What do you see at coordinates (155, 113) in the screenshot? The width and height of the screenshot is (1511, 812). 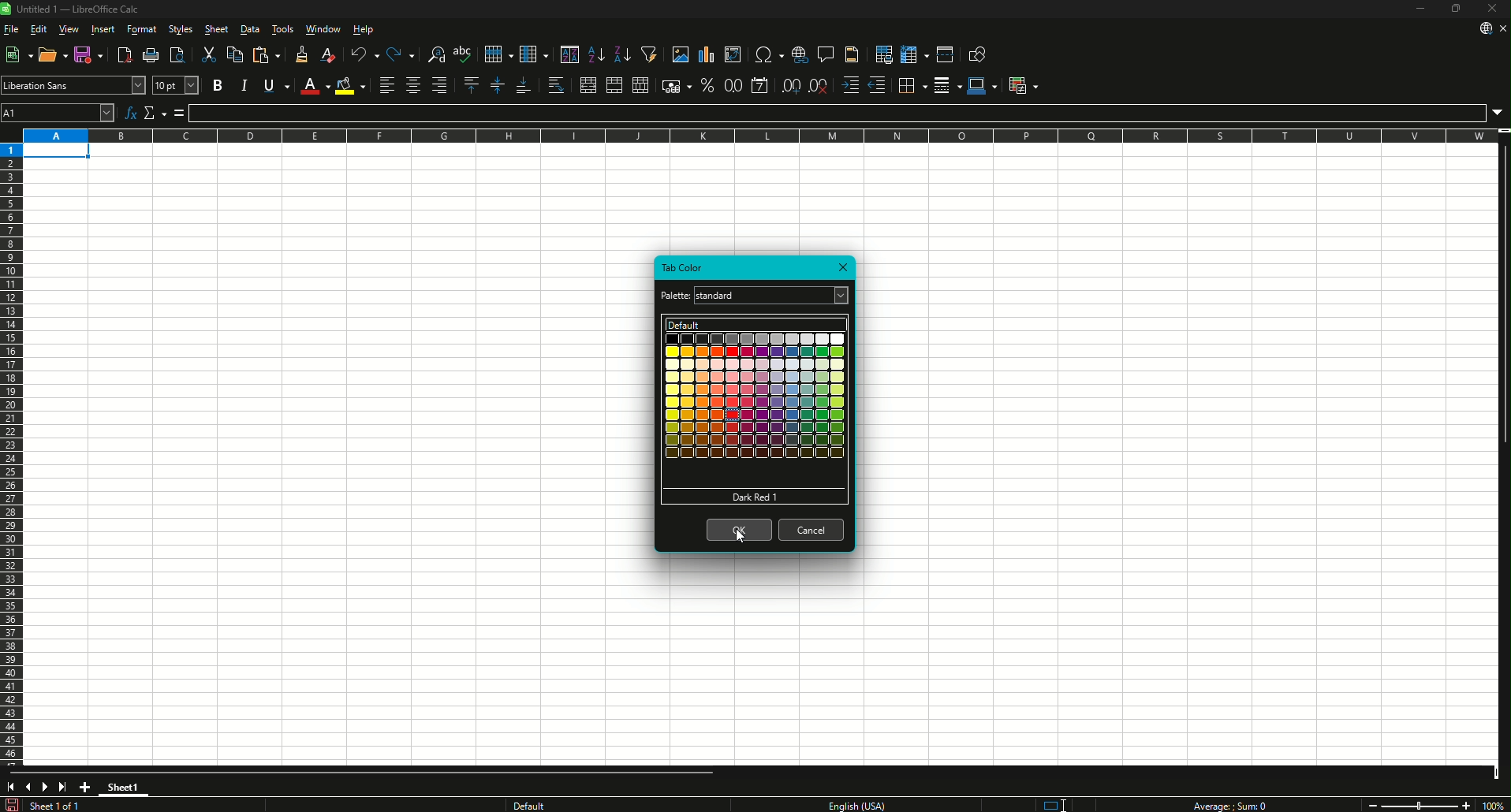 I see `Select Function` at bounding box center [155, 113].